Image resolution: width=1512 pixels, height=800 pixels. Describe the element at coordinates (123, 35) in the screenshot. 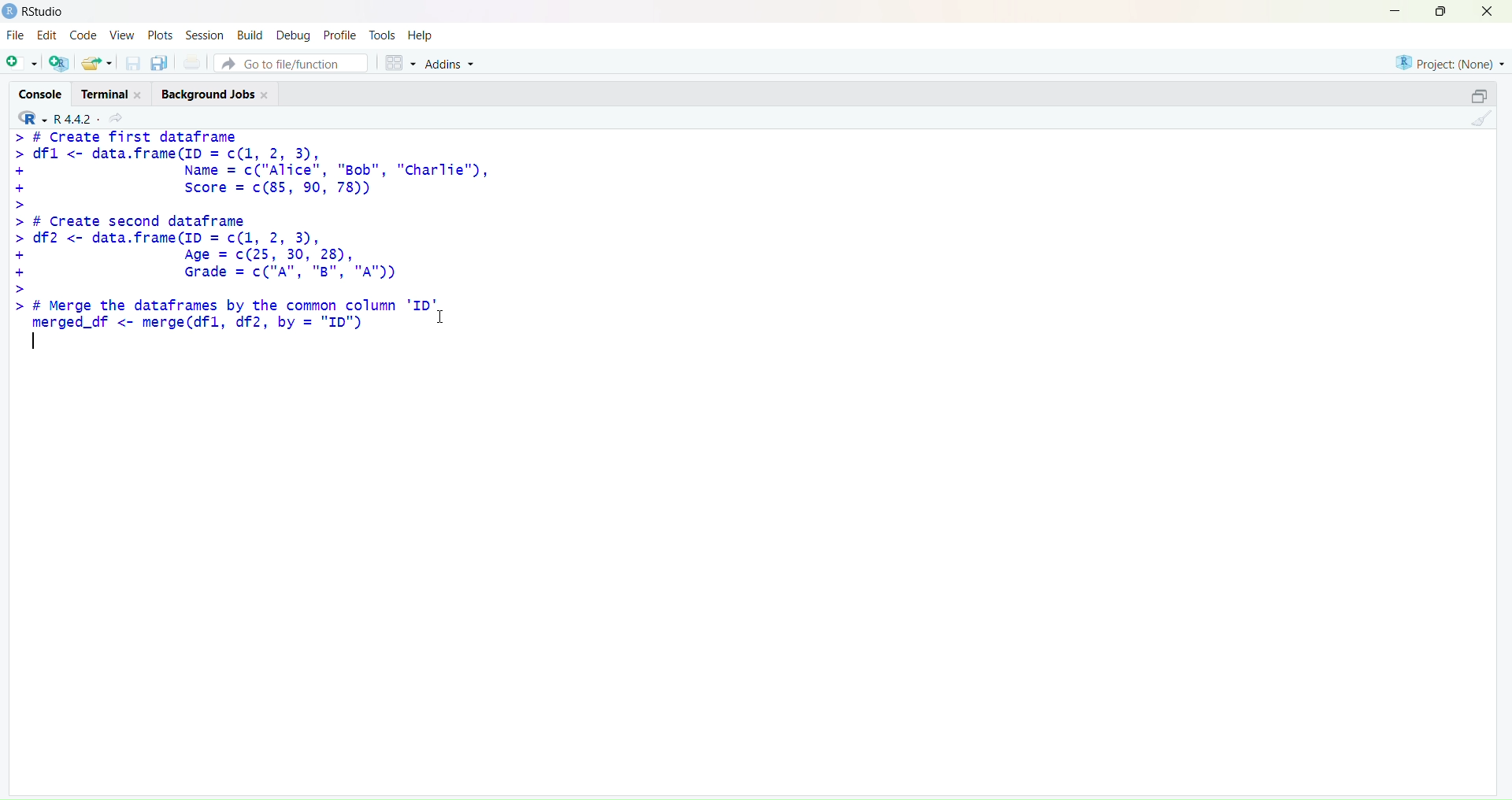

I see `View` at that location.